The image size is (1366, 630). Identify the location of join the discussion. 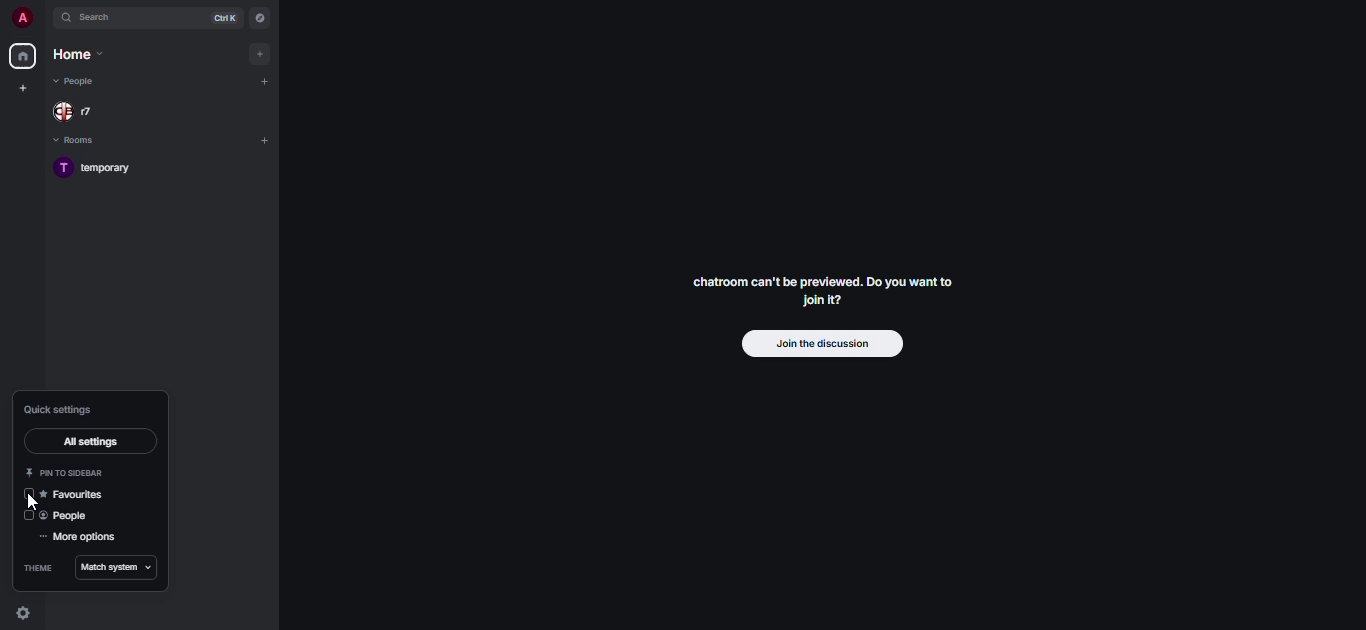
(821, 345).